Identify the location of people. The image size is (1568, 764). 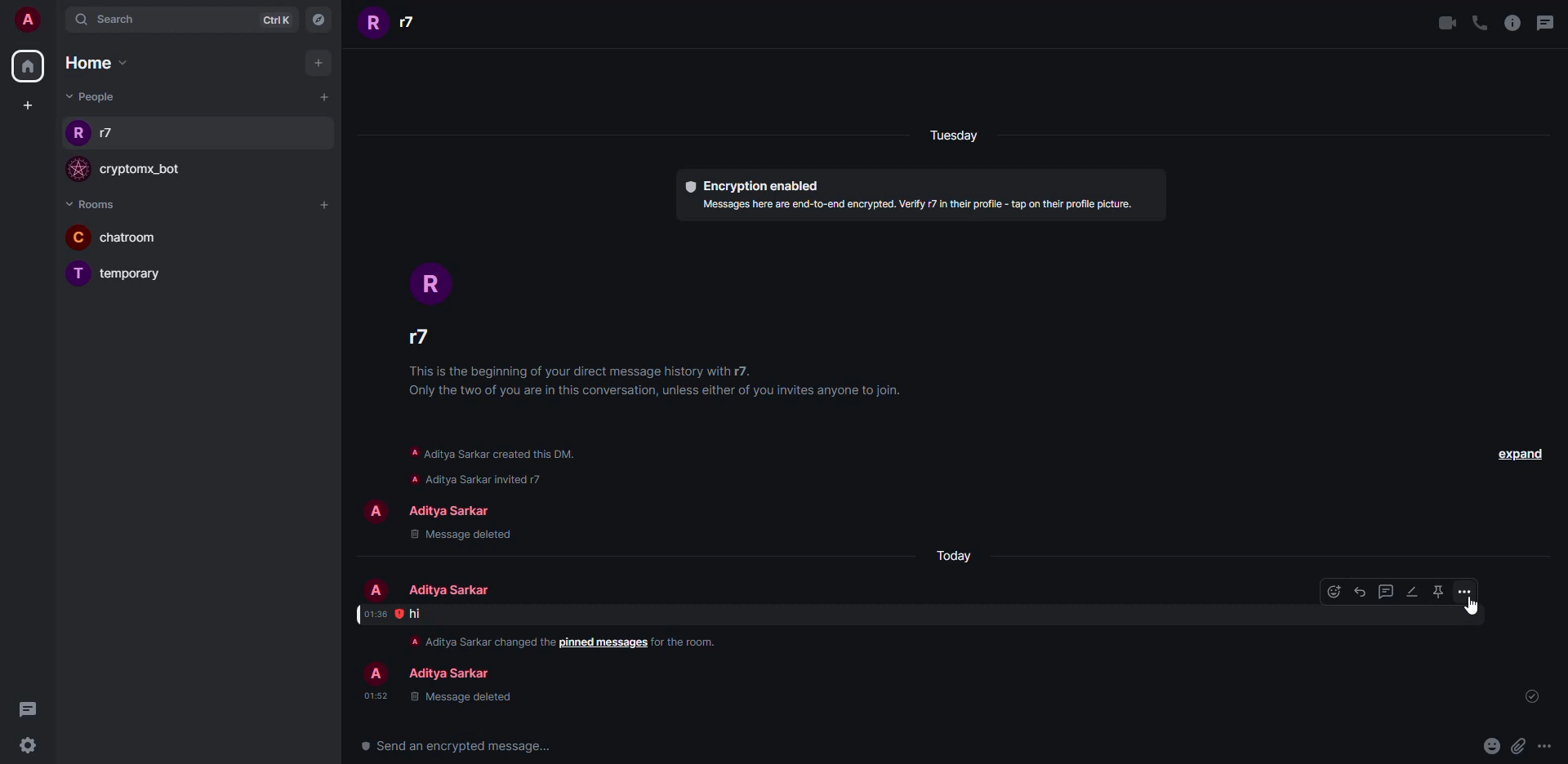
(430, 341).